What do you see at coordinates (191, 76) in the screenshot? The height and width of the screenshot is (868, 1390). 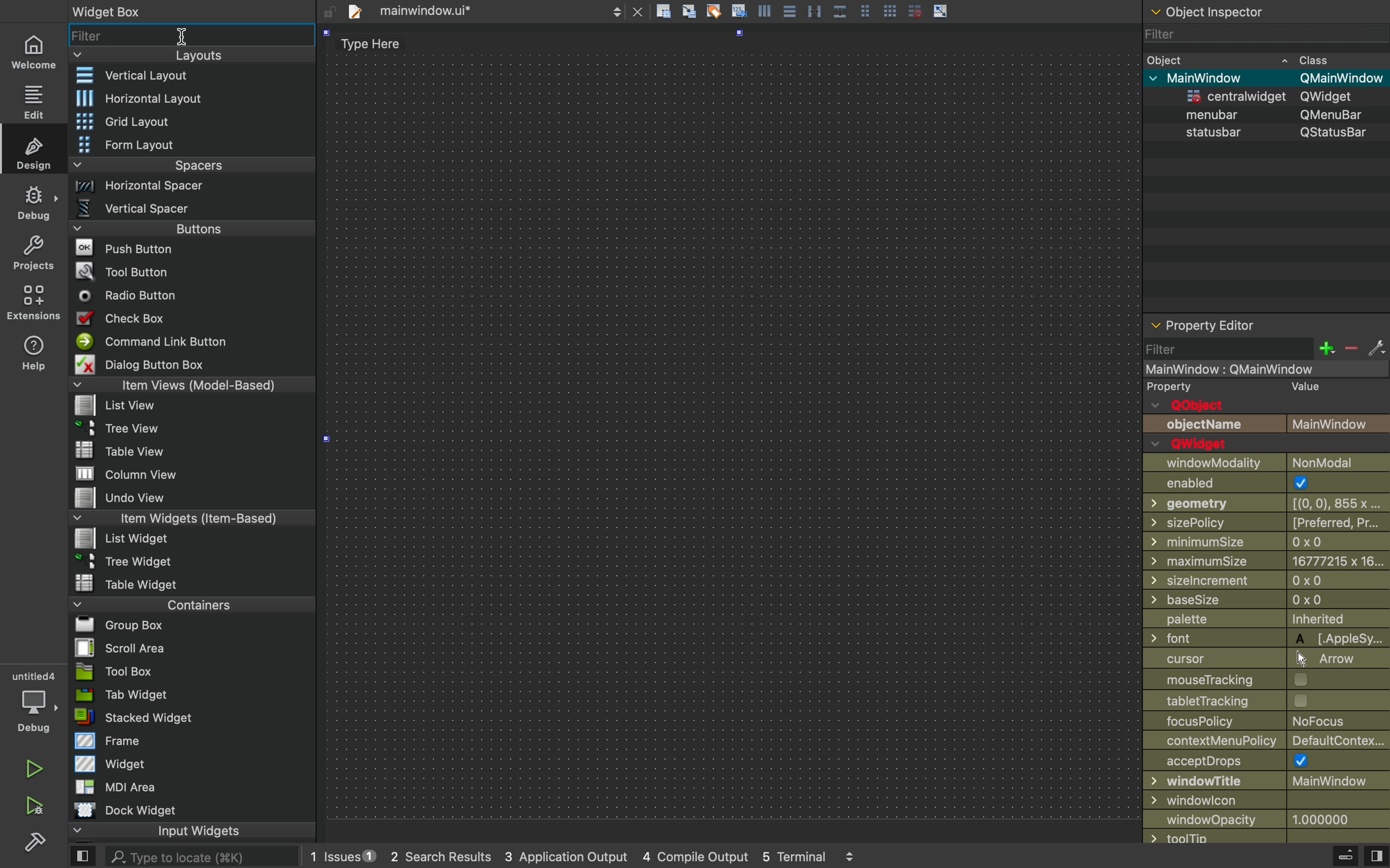 I see `vertical layout` at bounding box center [191, 76].